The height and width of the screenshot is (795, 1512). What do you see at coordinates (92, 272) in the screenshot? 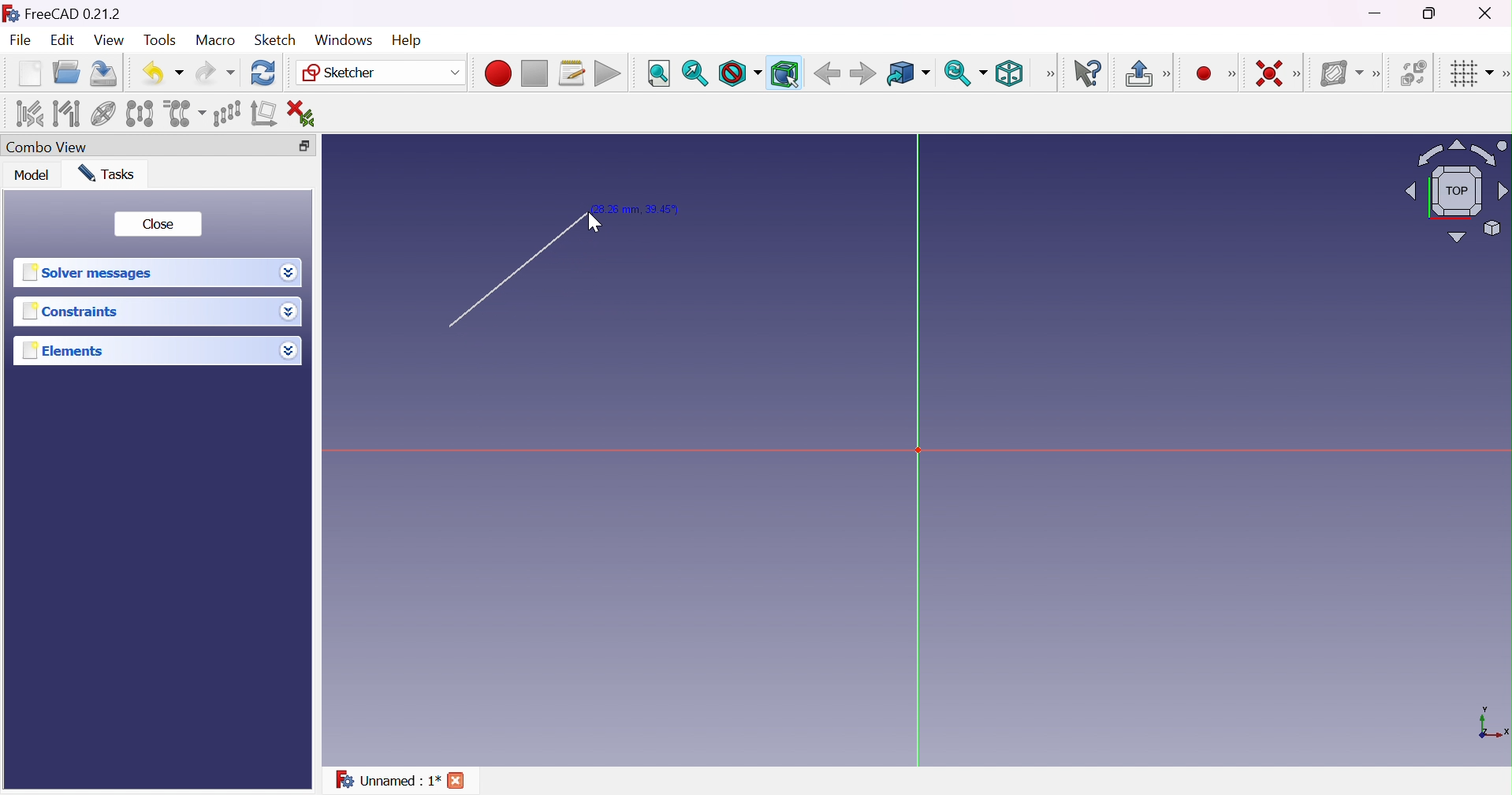
I see `Solver messages` at bounding box center [92, 272].